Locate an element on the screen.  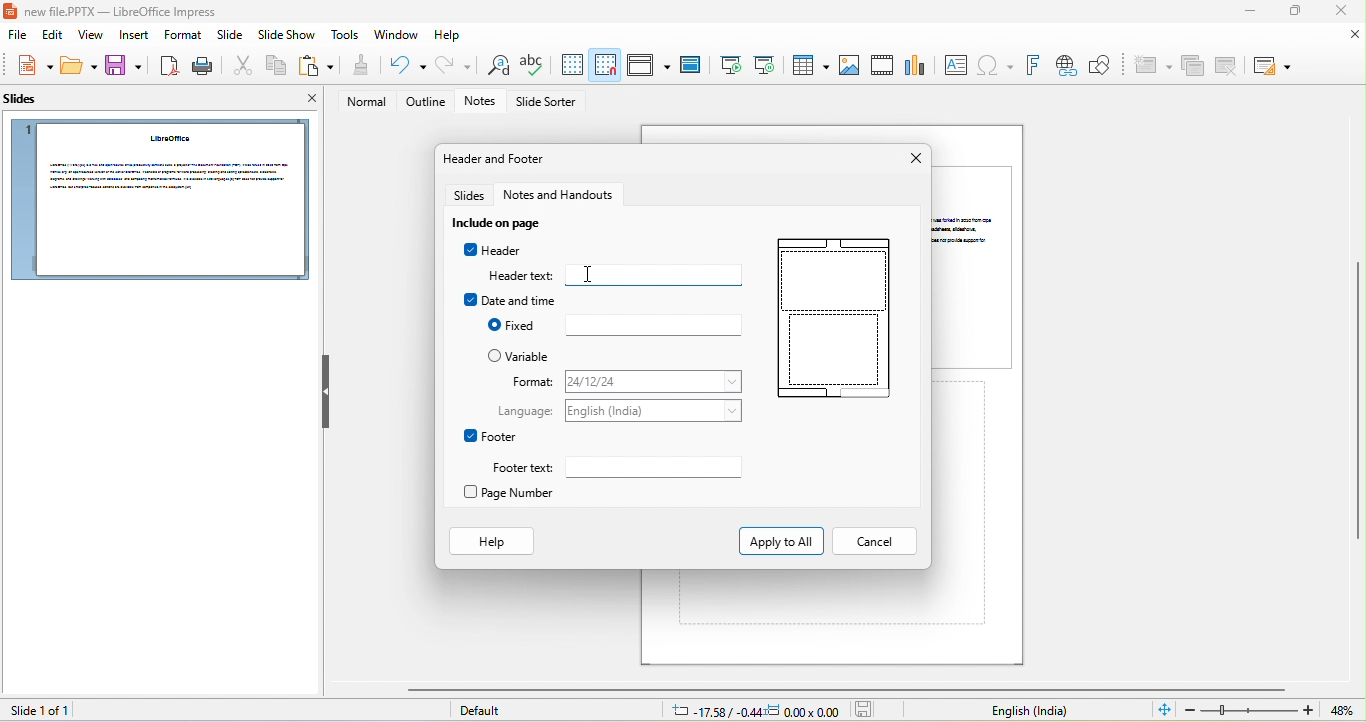
how draw function is located at coordinates (1101, 66).